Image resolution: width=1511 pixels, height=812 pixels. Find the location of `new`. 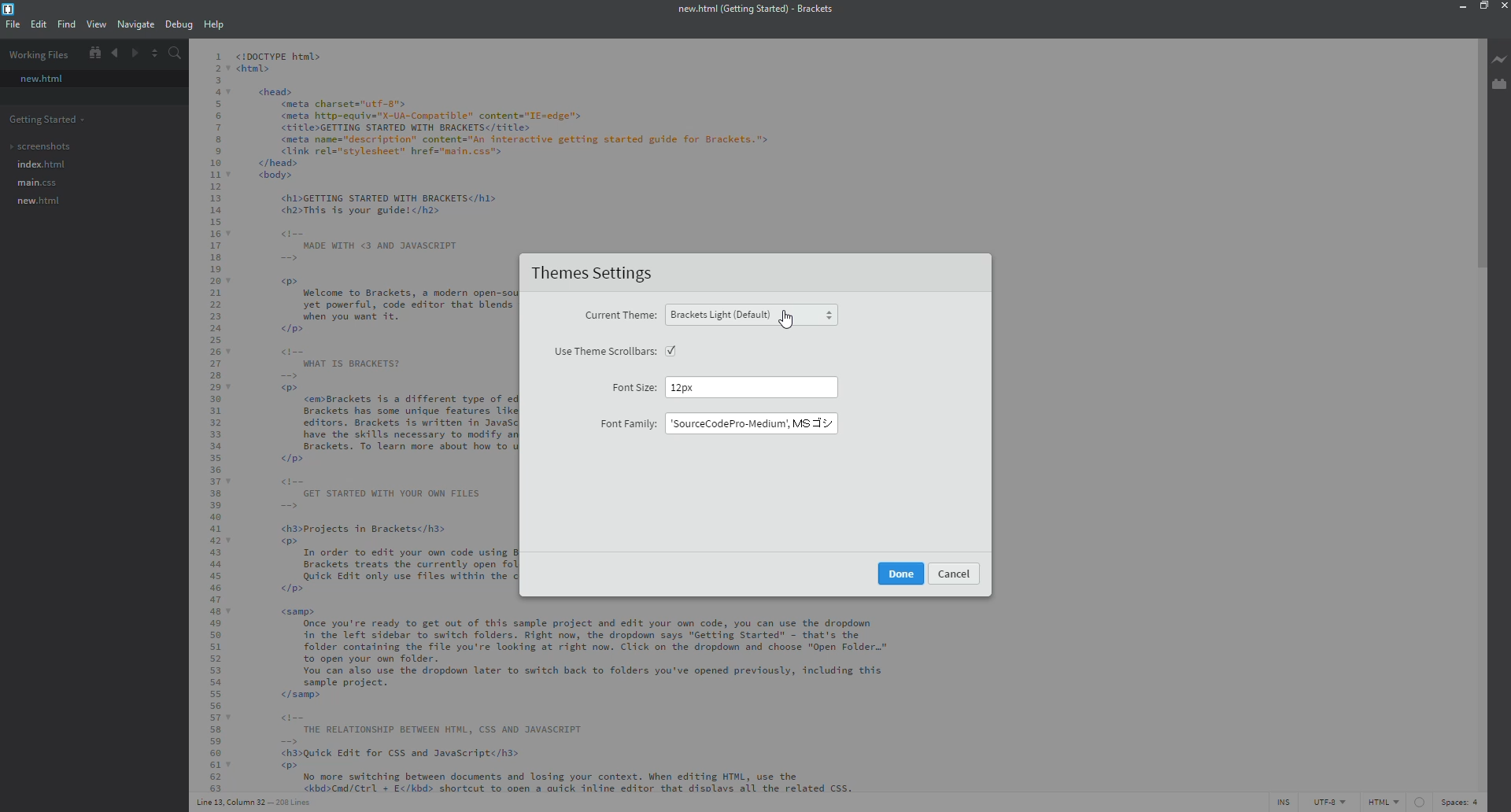

new is located at coordinates (36, 201).